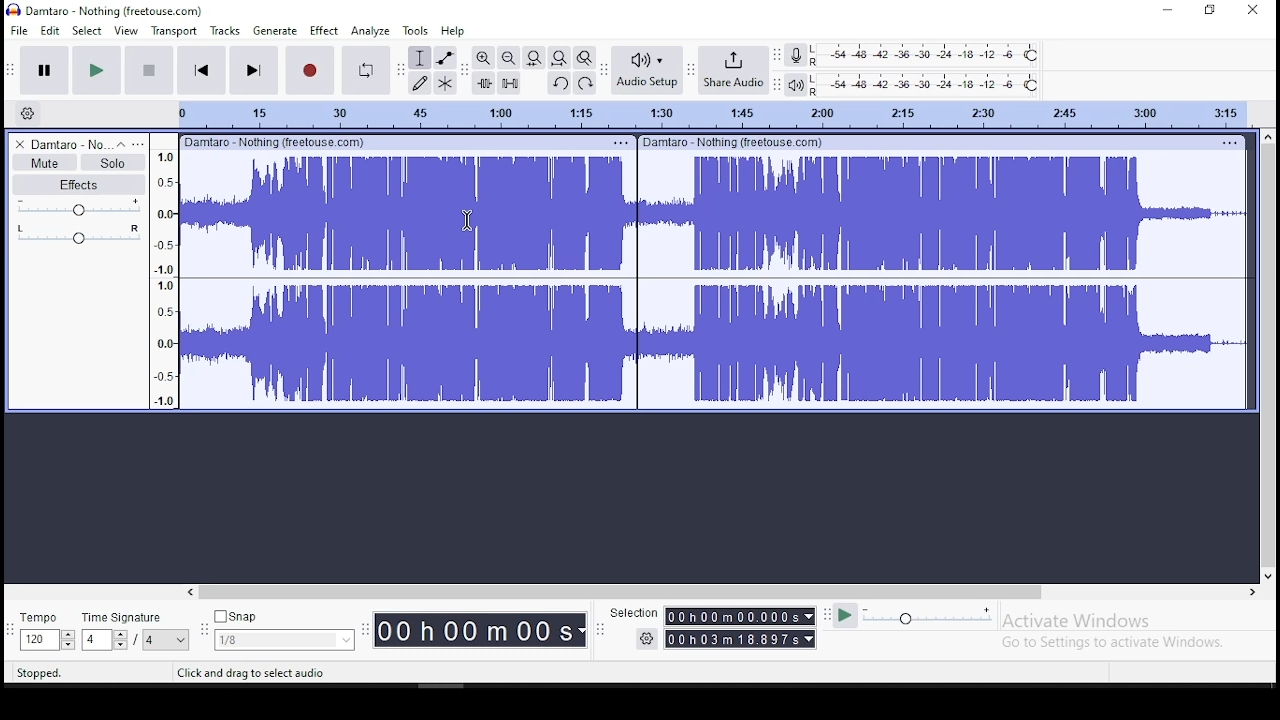 This screenshot has height=720, width=1280. What do you see at coordinates (309, 69) in the screenshot?
I see `record` at bounding box center [309, 69].